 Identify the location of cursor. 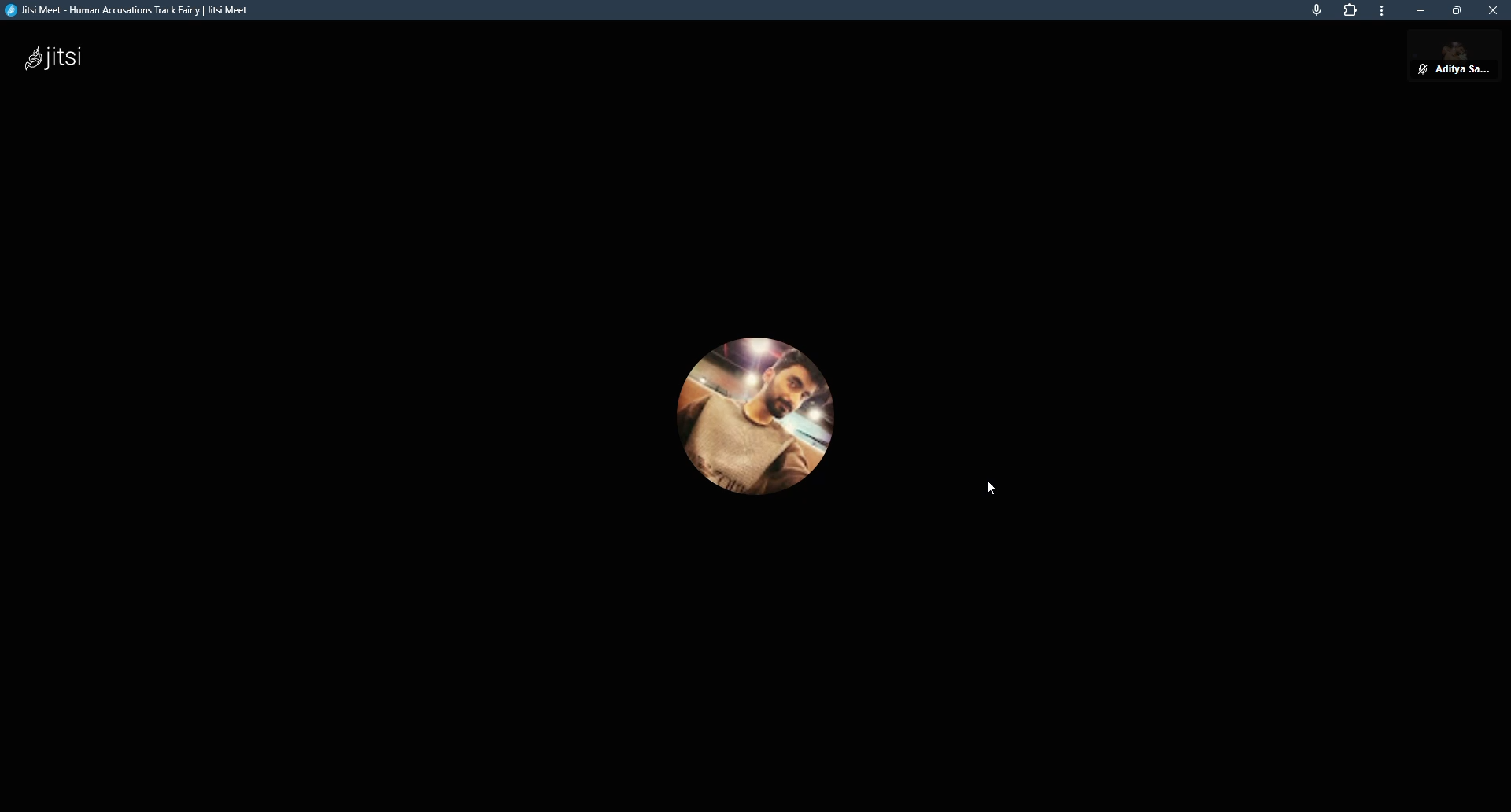
(993, 496).